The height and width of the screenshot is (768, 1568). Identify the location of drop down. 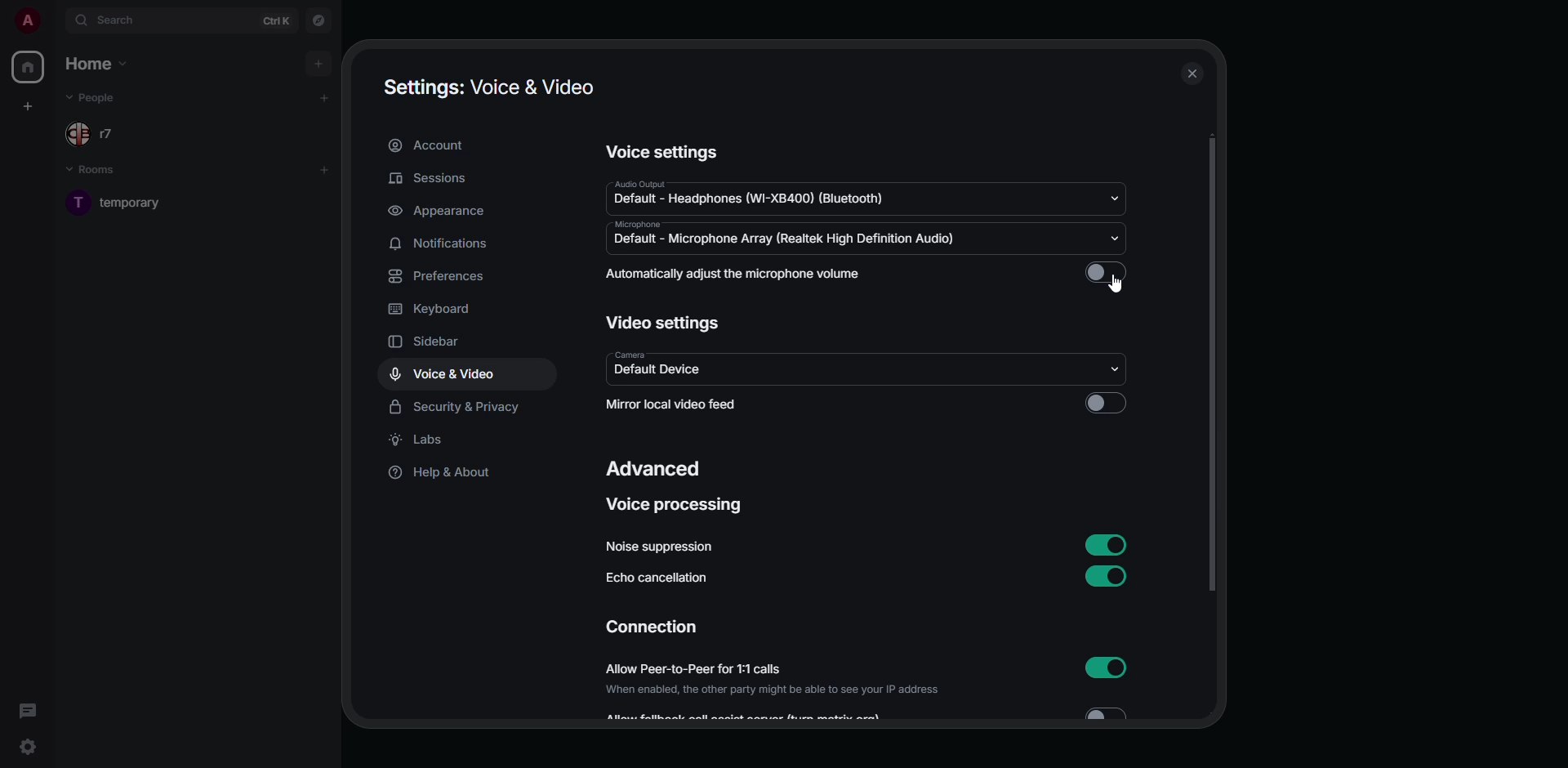
(1120, 198).